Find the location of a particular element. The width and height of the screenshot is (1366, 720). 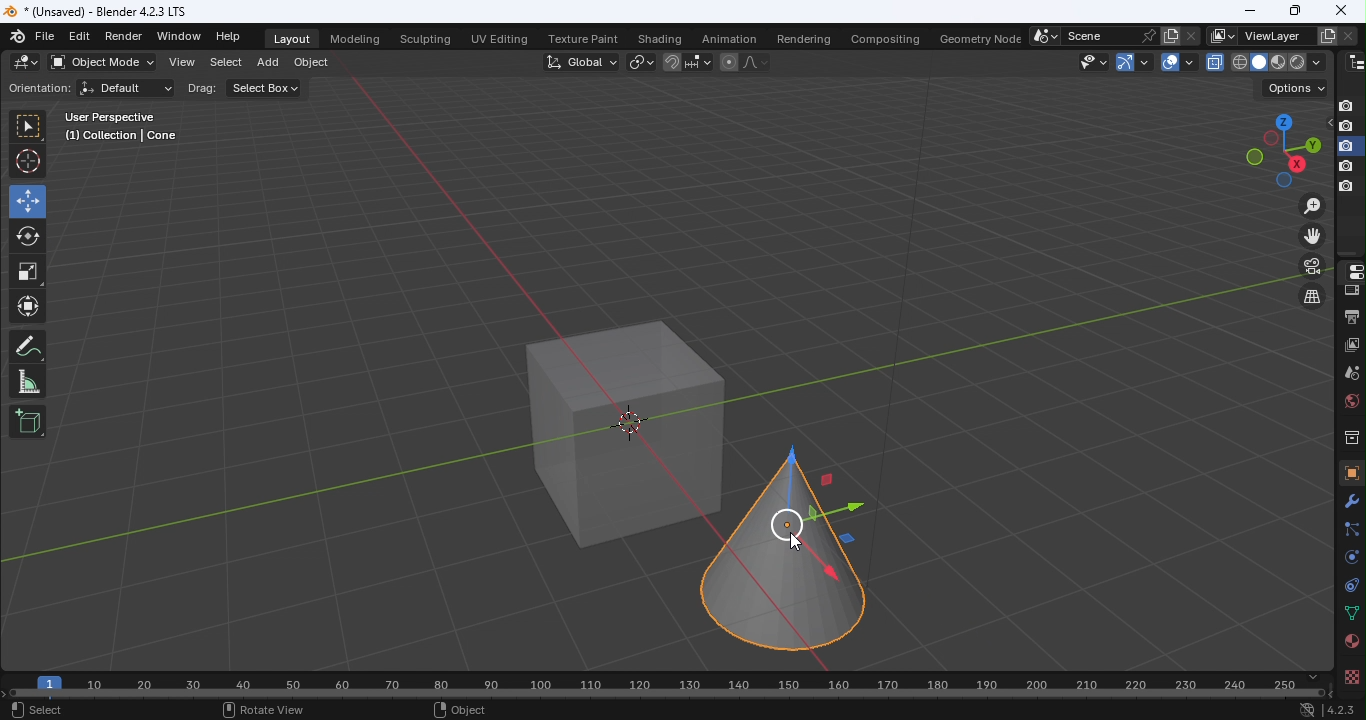

Texture paint is located at coordinates (585, 40).